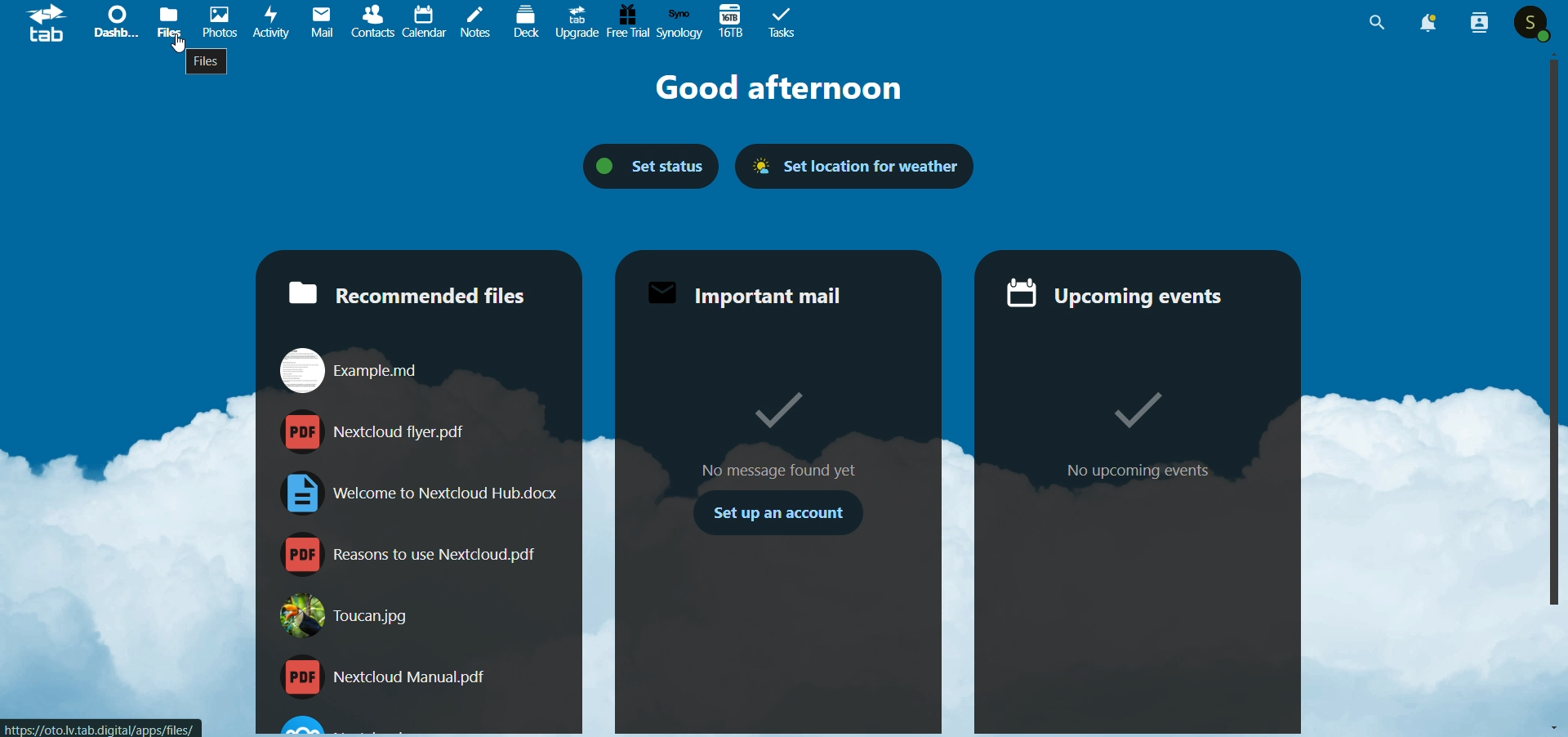  I want to click on dashboard, so click(114, 26).